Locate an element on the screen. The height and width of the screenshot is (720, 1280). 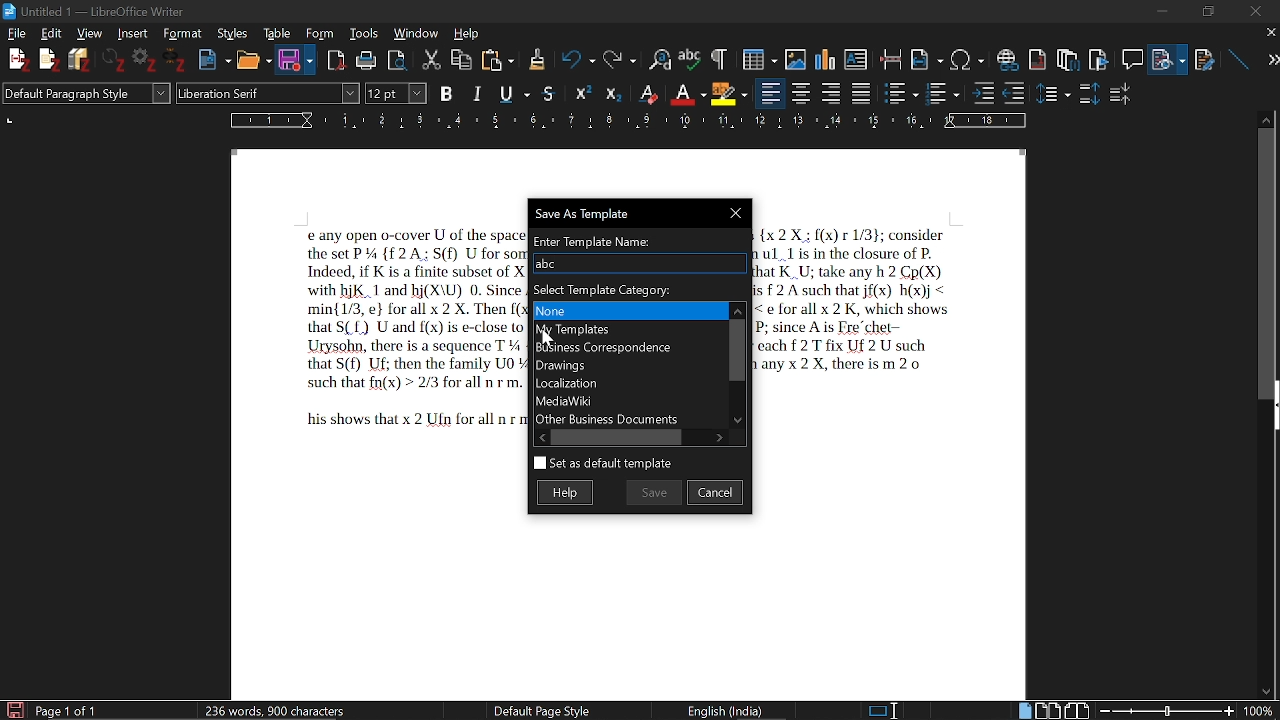
Default Paragraph Style is located at coordinates (84, 95).